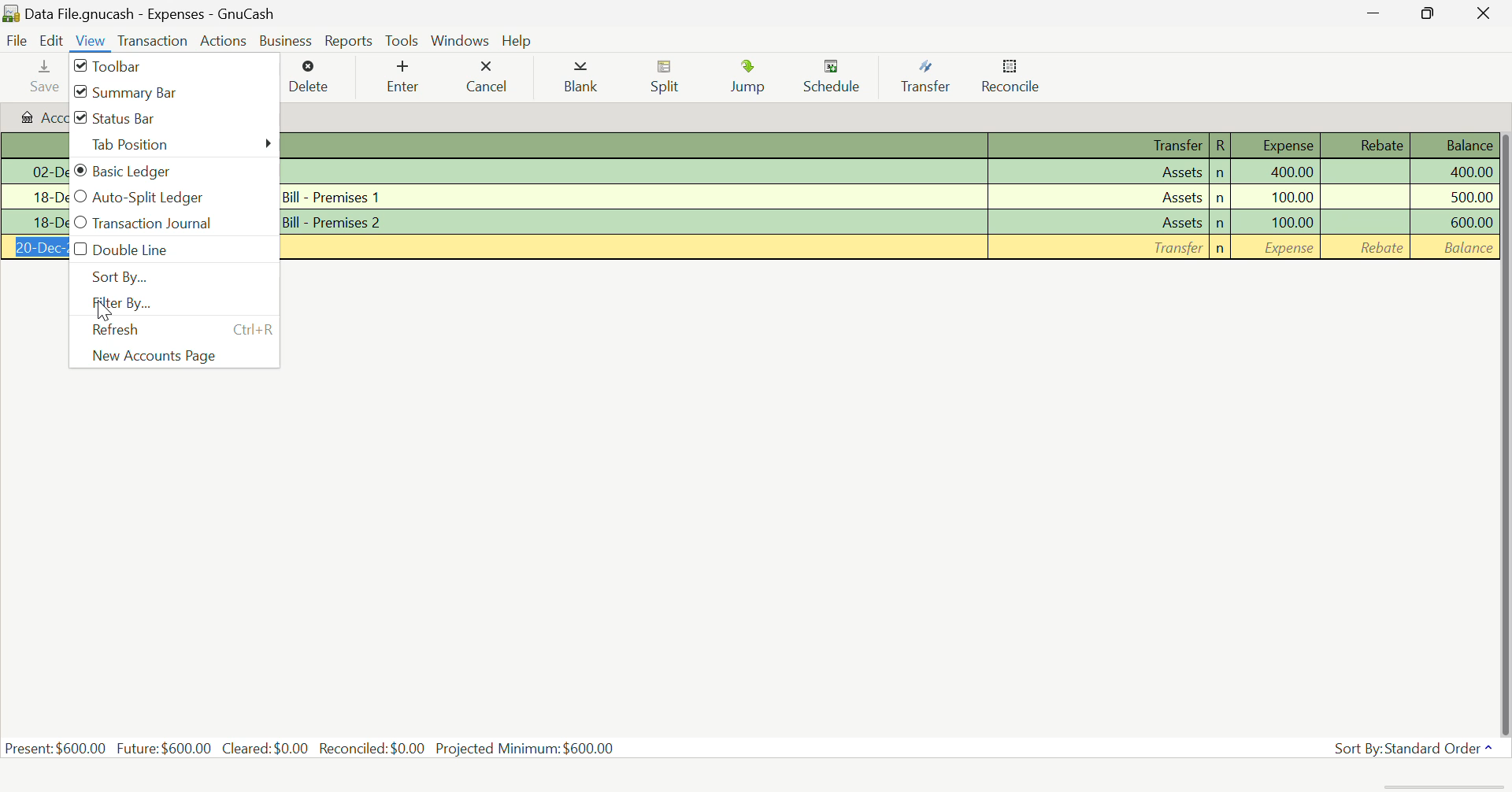 This screenshot has height=792, width=1512. What do you see at coordinates (1221, 173) in the screenshot?
I see `n` at bounding box center [1221, 173].